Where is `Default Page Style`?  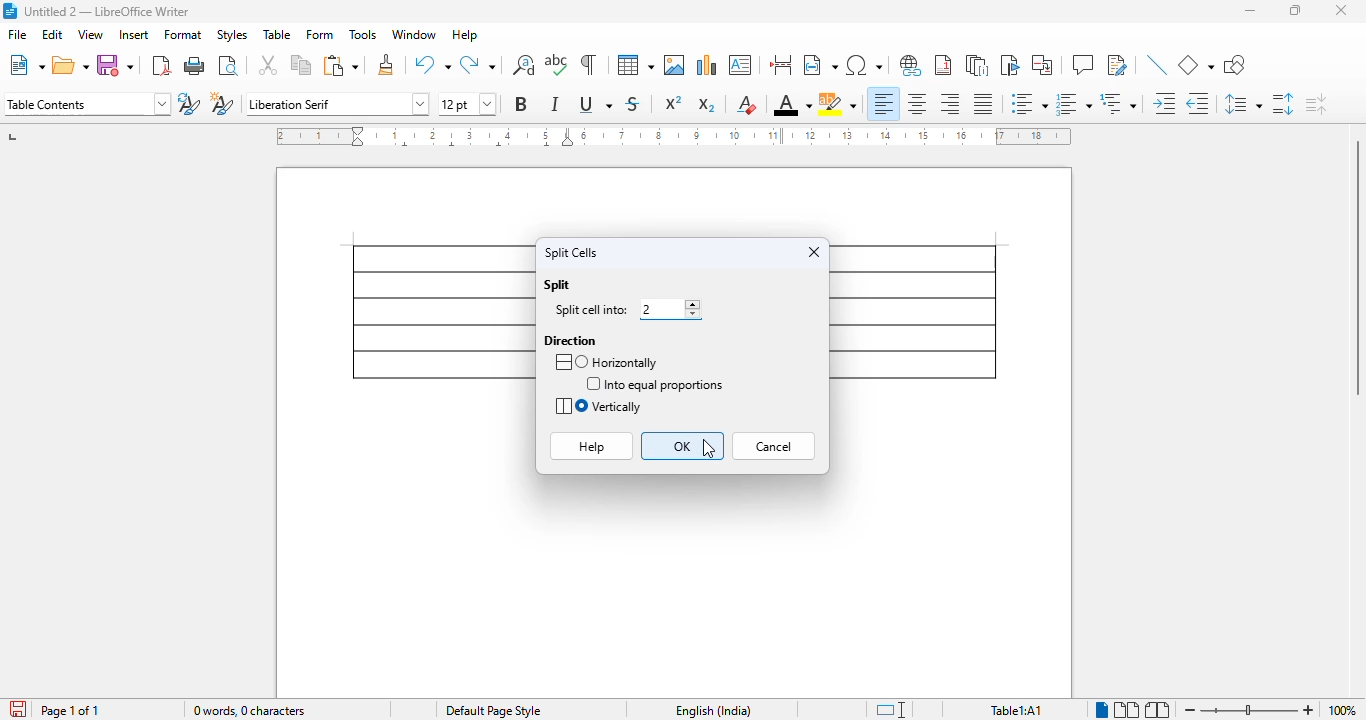
Default Page Style is located at coordinates (493, 710).